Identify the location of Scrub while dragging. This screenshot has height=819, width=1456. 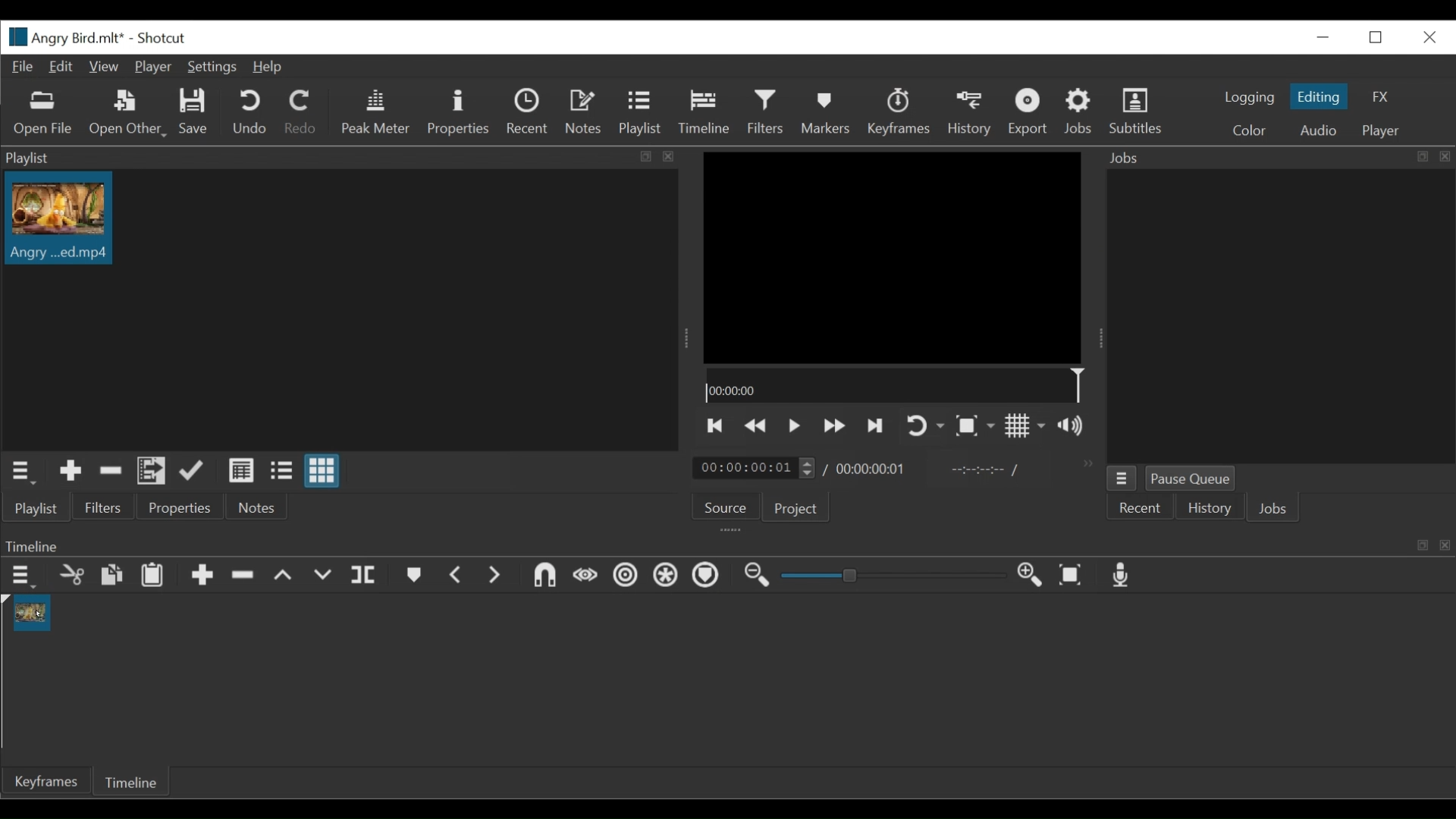
(585, 576).